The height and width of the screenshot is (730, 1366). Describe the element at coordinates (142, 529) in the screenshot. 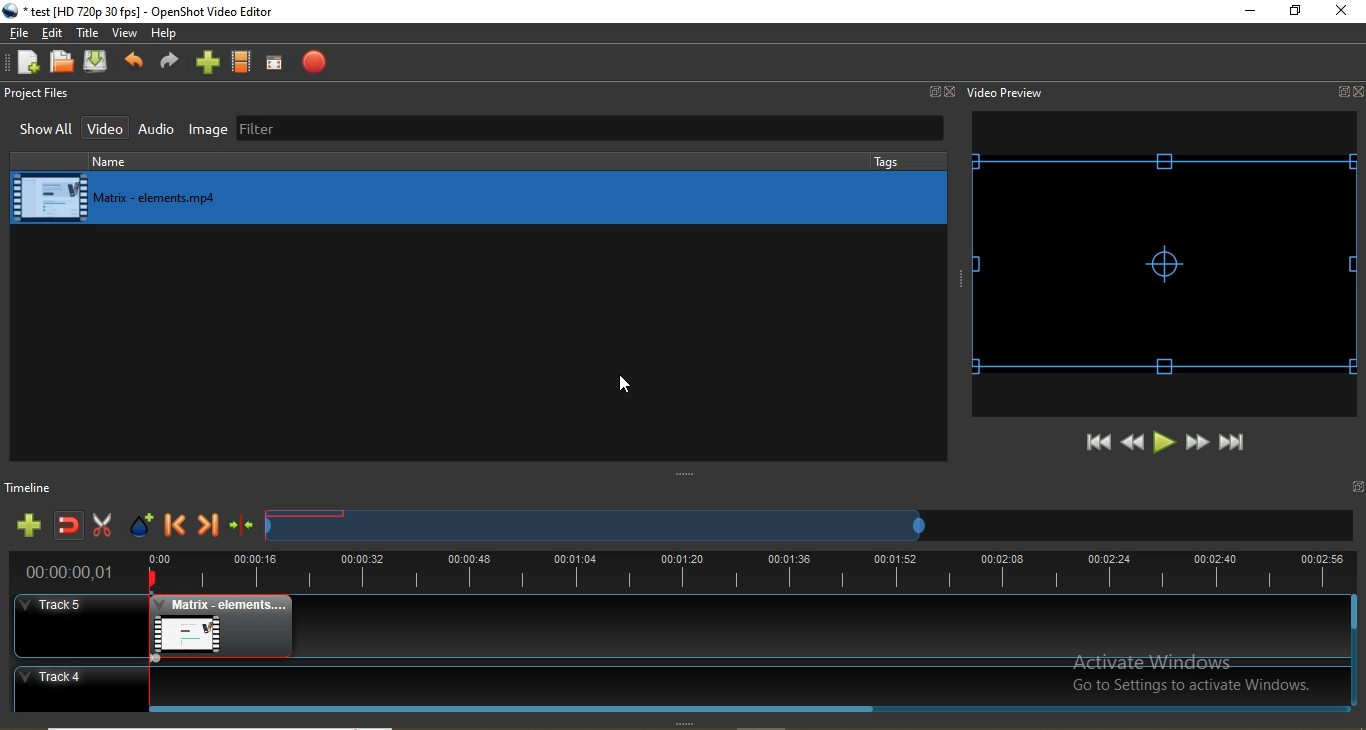

I see `Add marker` at that location.